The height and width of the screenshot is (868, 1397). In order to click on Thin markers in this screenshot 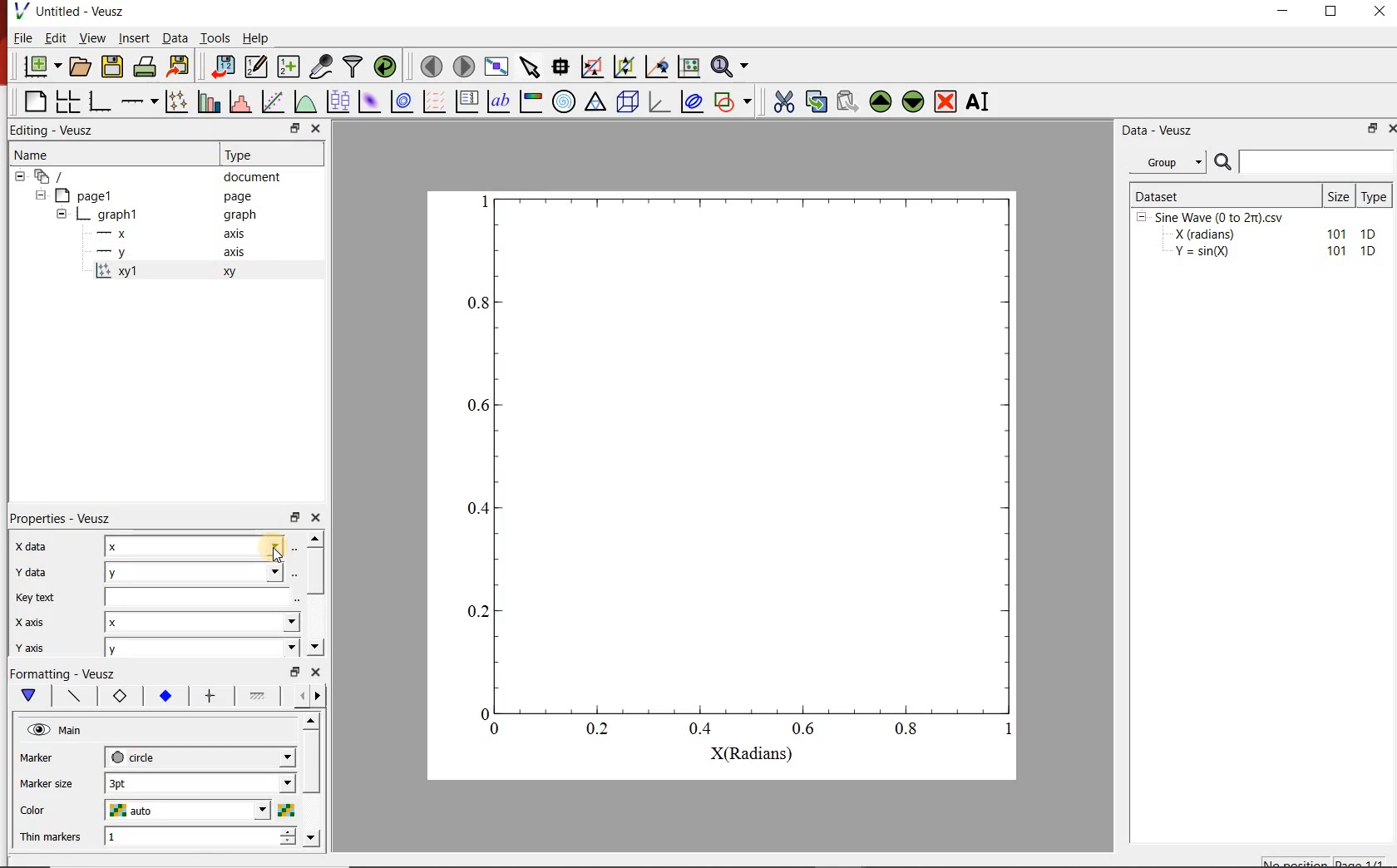, I will do `click(51, 836)`.